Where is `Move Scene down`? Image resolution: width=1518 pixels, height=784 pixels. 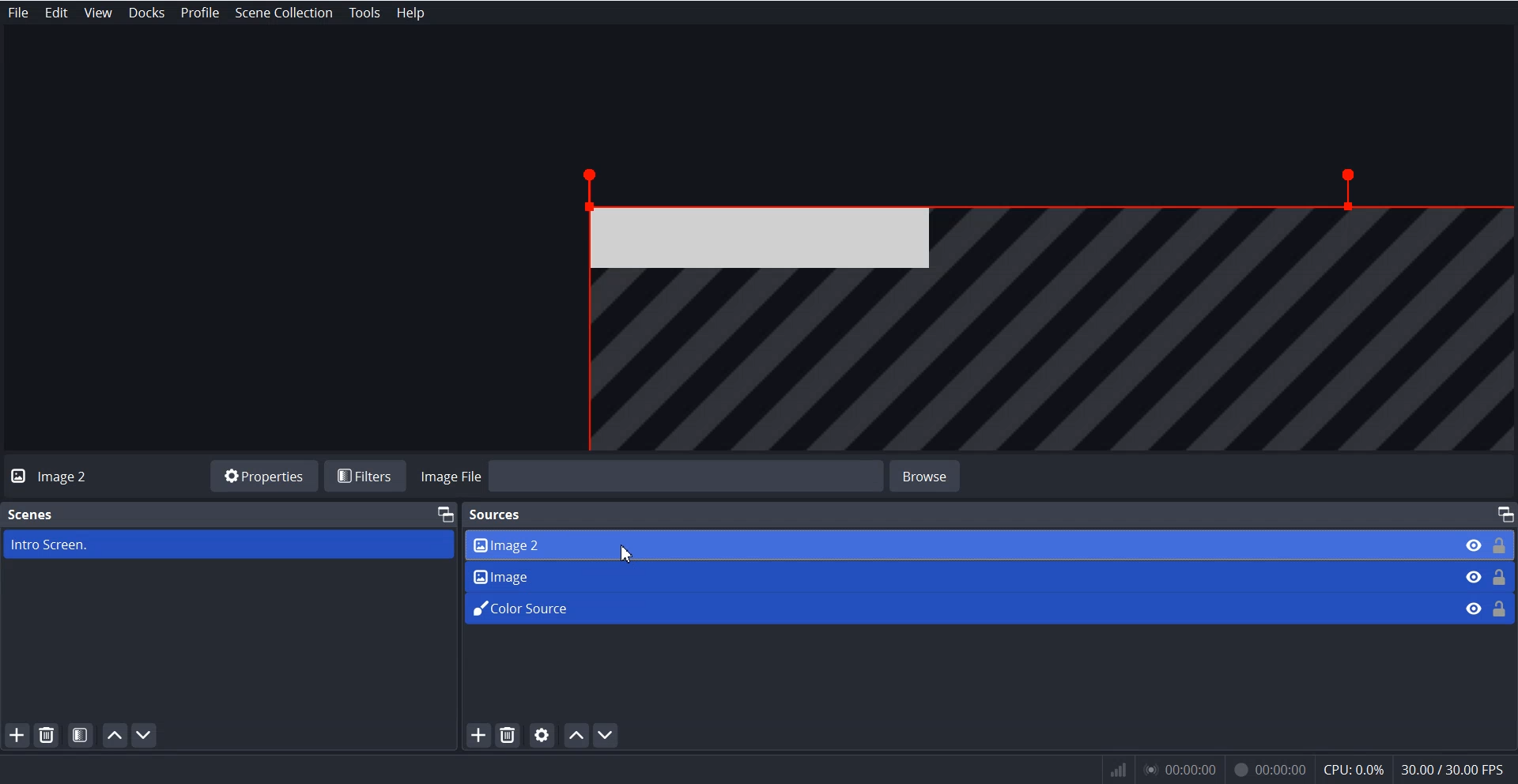
Move Scene down is located at coordinates (147, 735).